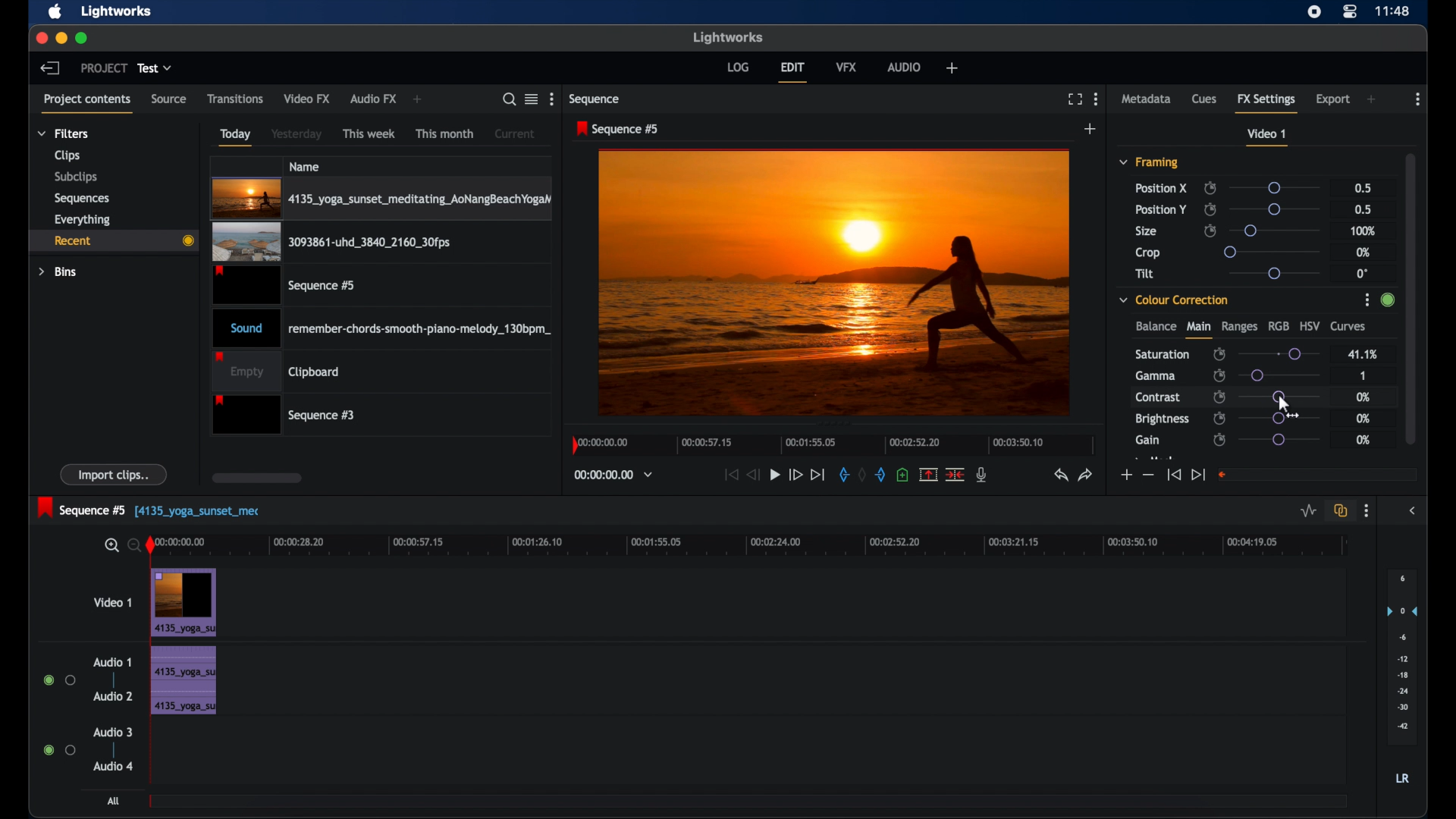 The height and width of the screenshot is (819, 1456). What do you see at coordinates (169, 99) in the screenshot?
I see `source` at bounding box center [169, 99].